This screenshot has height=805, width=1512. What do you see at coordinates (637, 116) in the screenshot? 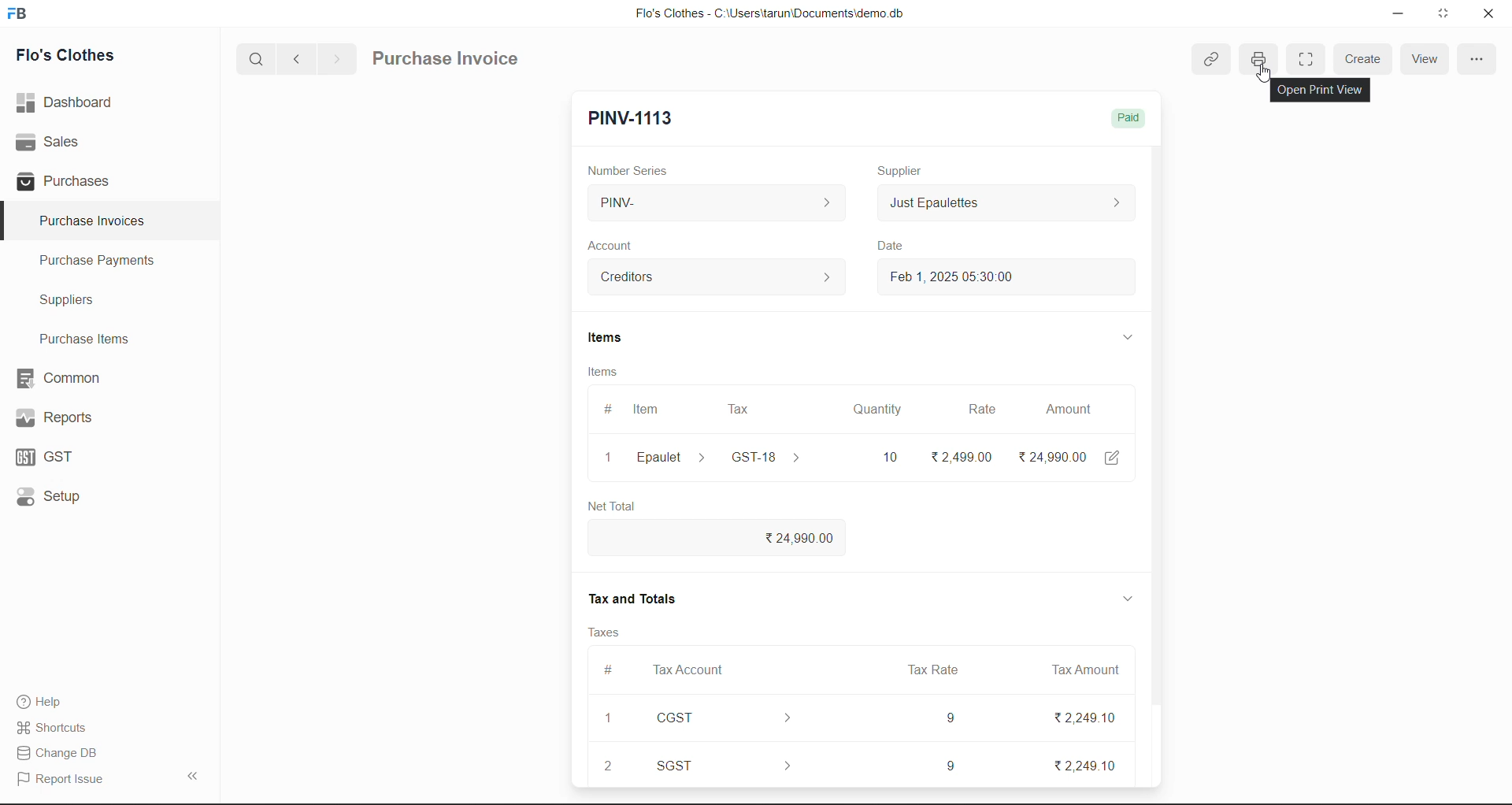
I see `PINV-1113` at bounding box center [637, 116].